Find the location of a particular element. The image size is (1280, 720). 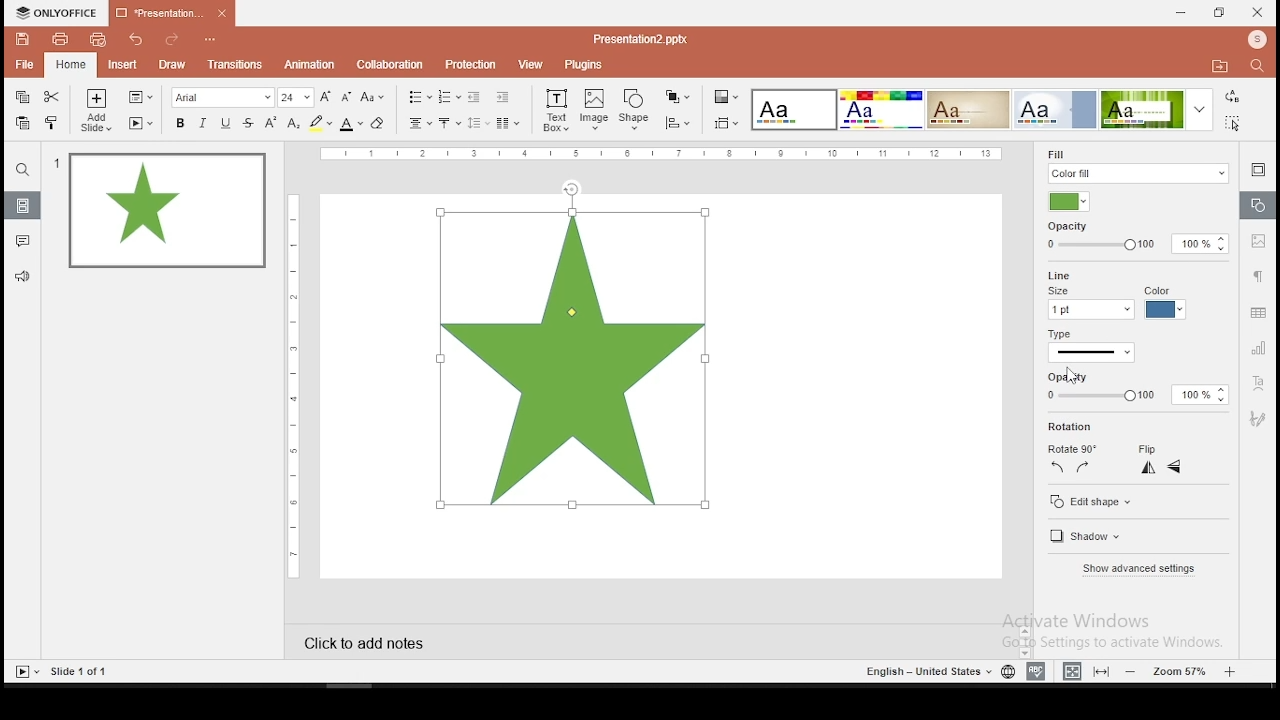

font size is located at coordinates (297, 97).